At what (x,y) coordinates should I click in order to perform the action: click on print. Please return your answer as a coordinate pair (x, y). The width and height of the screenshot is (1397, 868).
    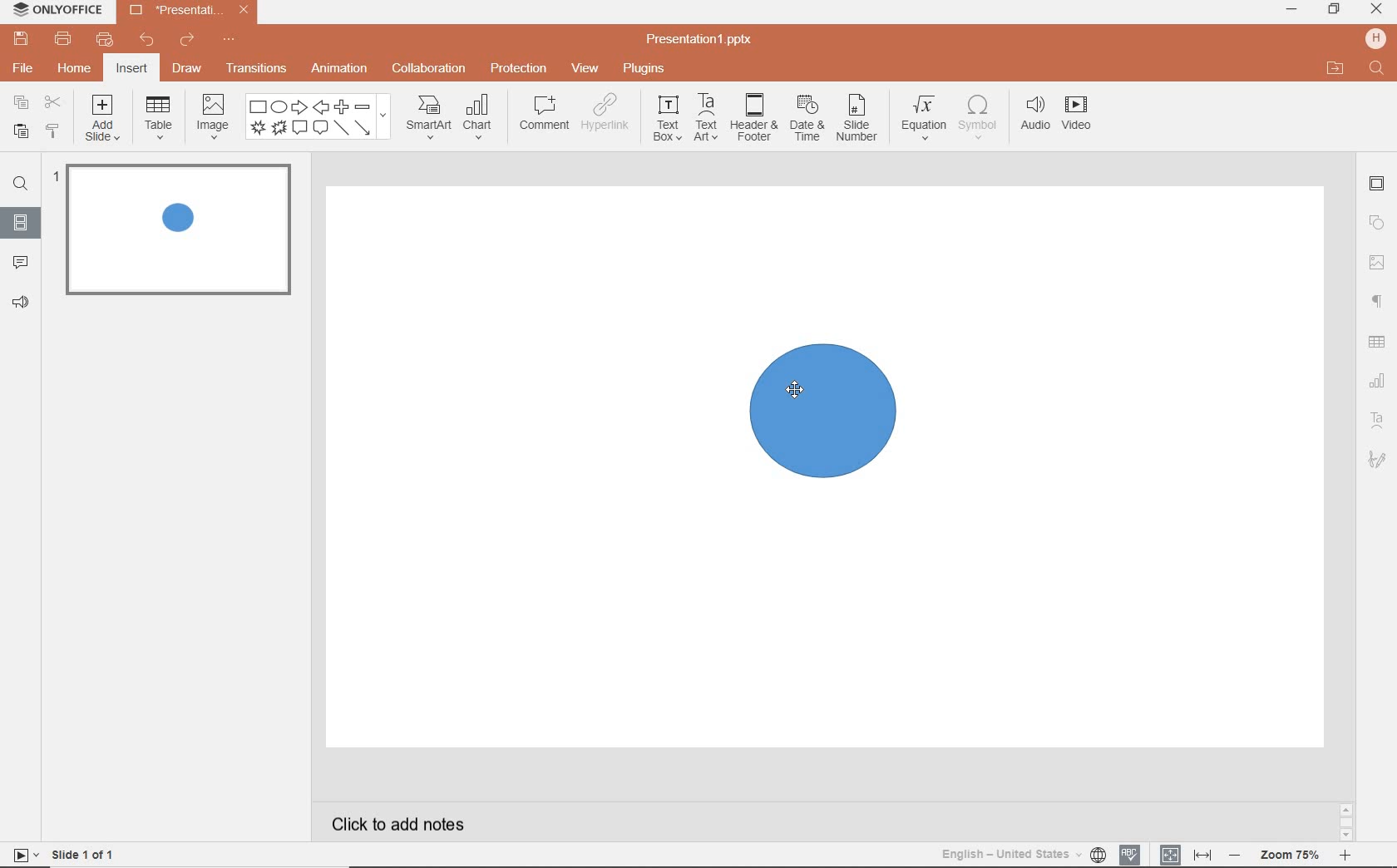
    Looking at the image, I should click on (64, 38).